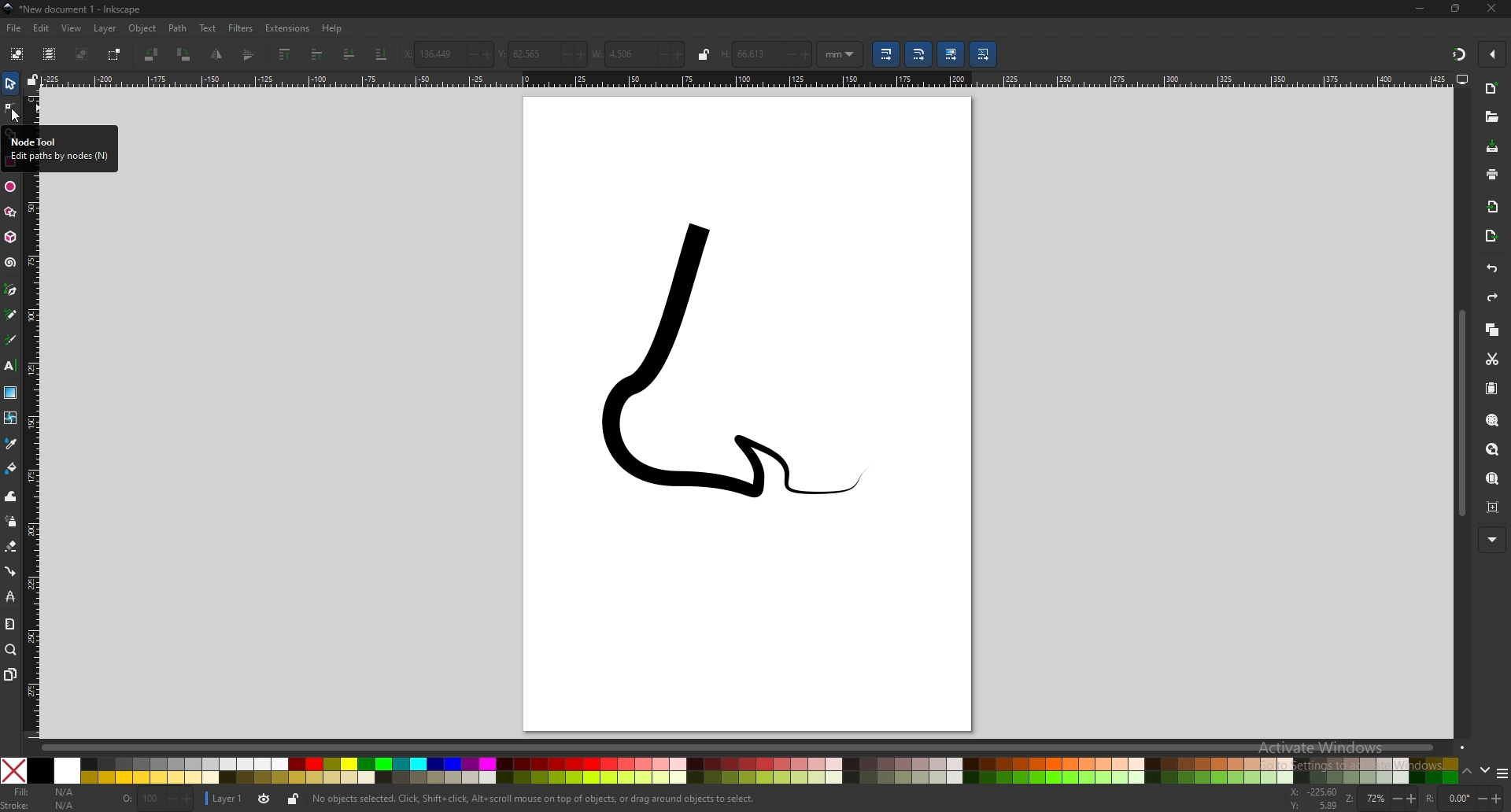 The image size is (1511, 812). What do you see at coordinates (1491, 507) in the screenshot?
I see `zoom centre page` at bounding box center [1491, 507].